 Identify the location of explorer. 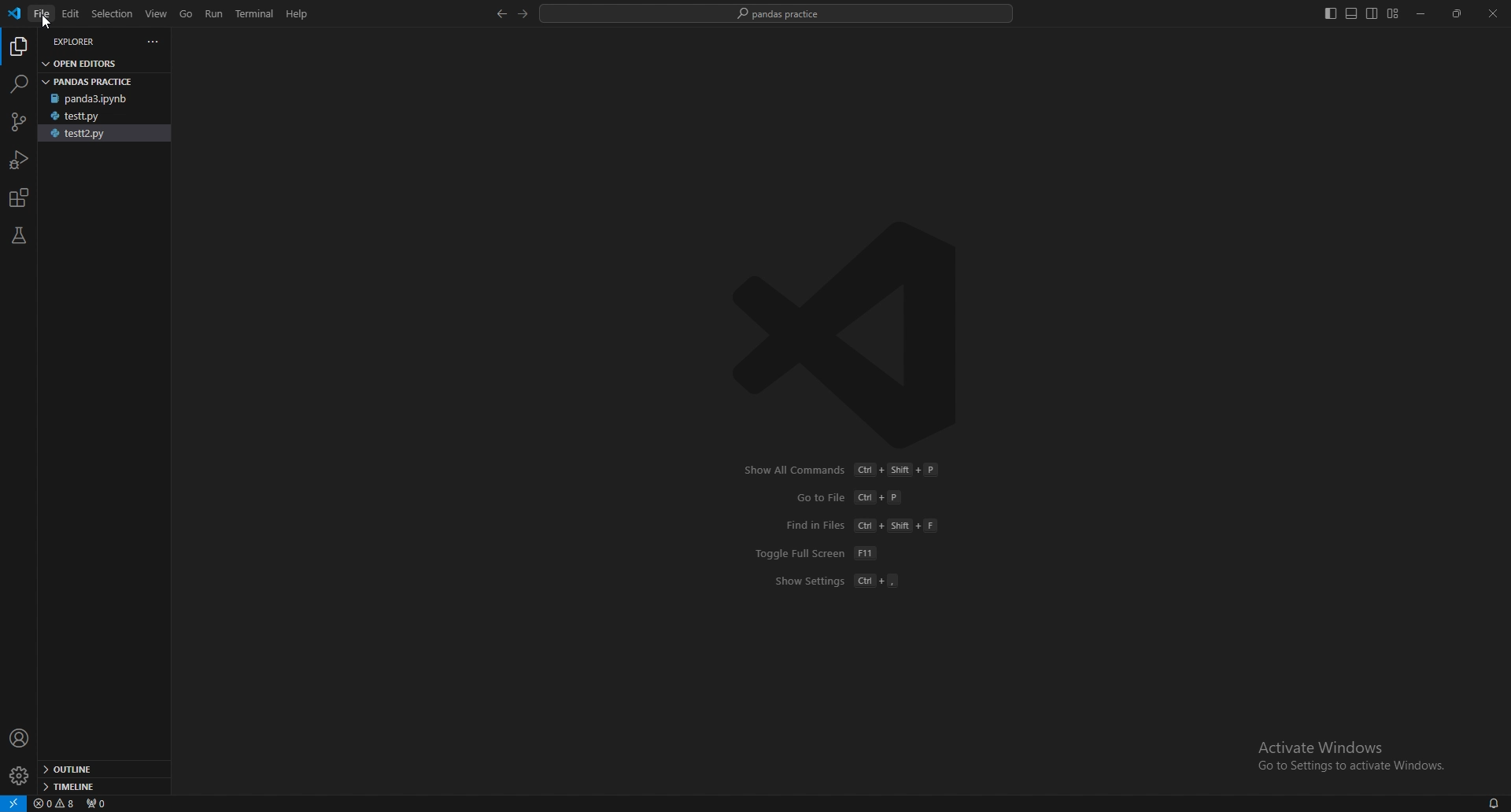
(20, 47).